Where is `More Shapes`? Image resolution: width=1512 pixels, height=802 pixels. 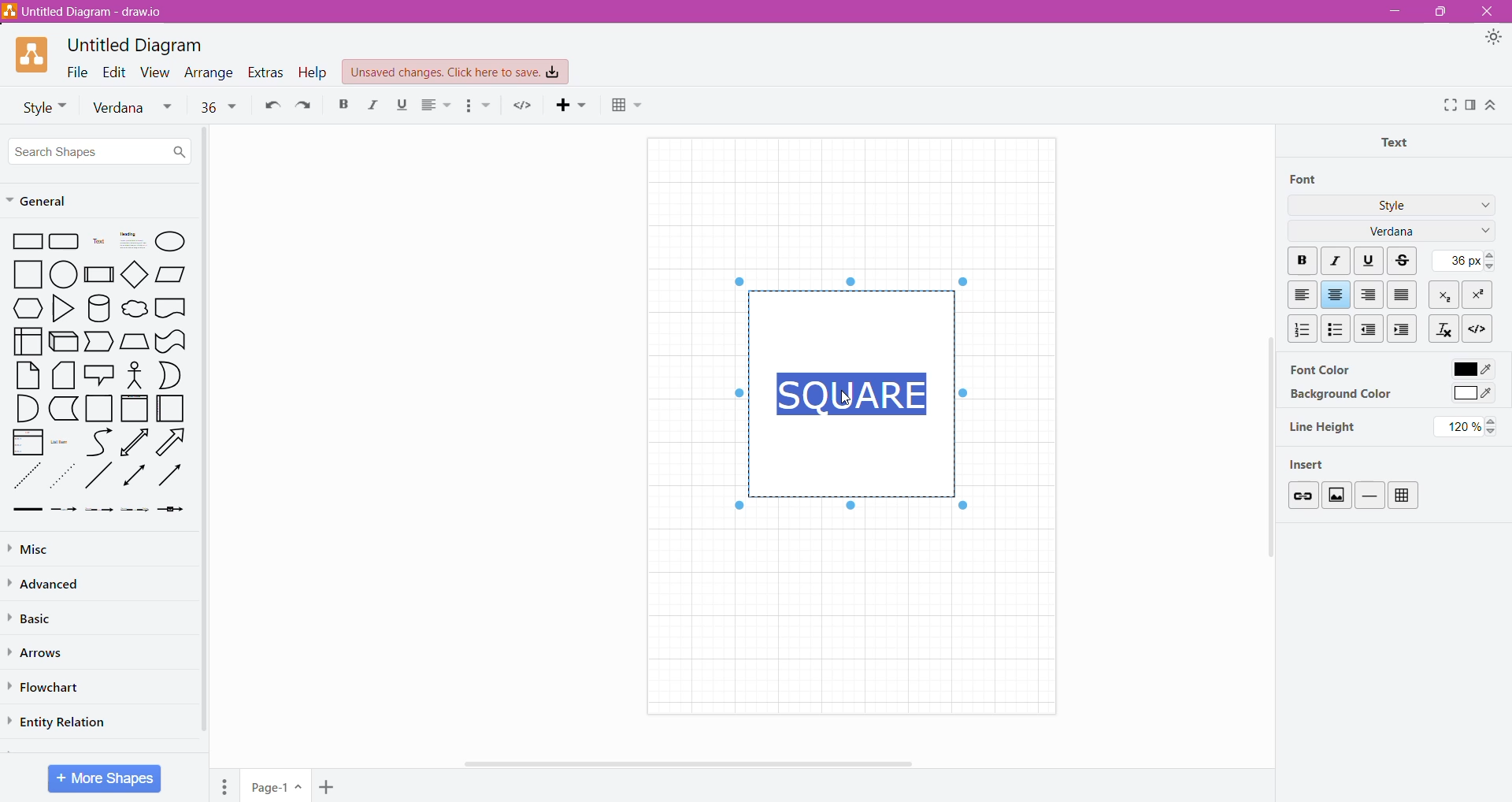 More Shapes is located at coordinates (106, 778).